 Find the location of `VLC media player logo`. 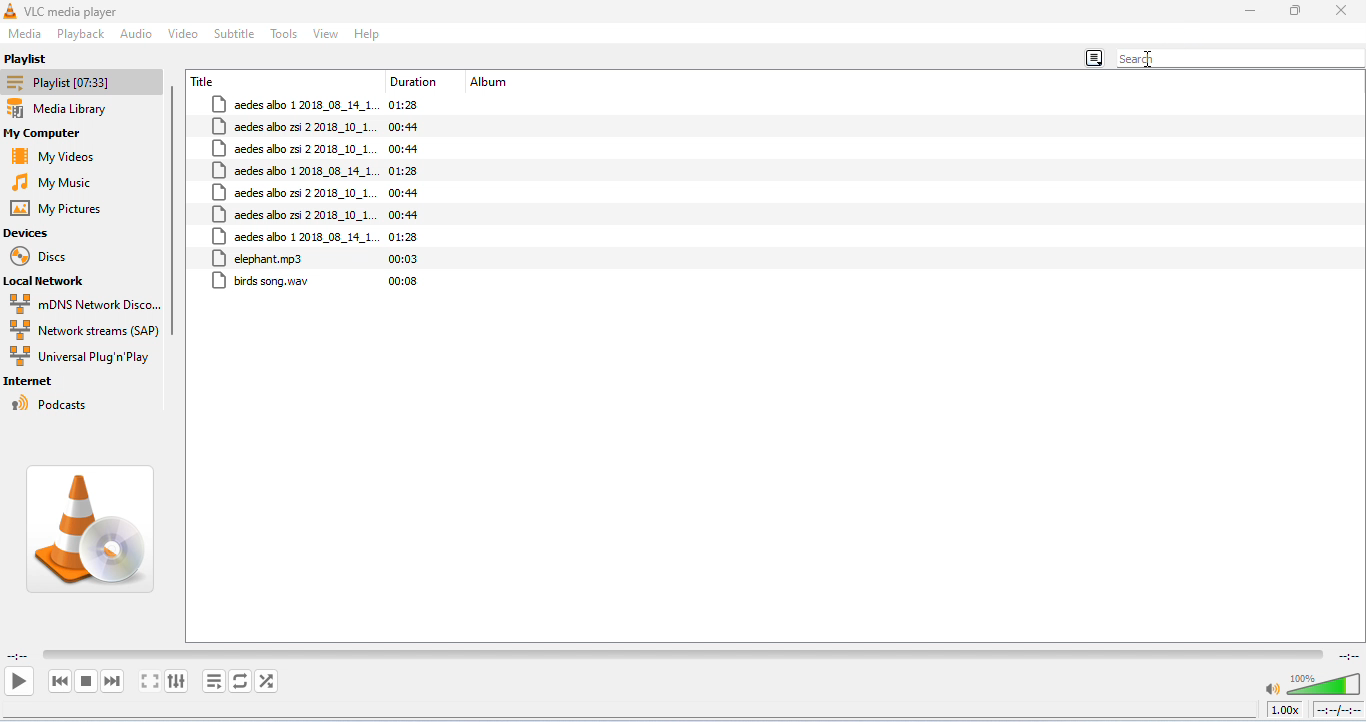

VLC media player logo is located at coordinates (93, 529).